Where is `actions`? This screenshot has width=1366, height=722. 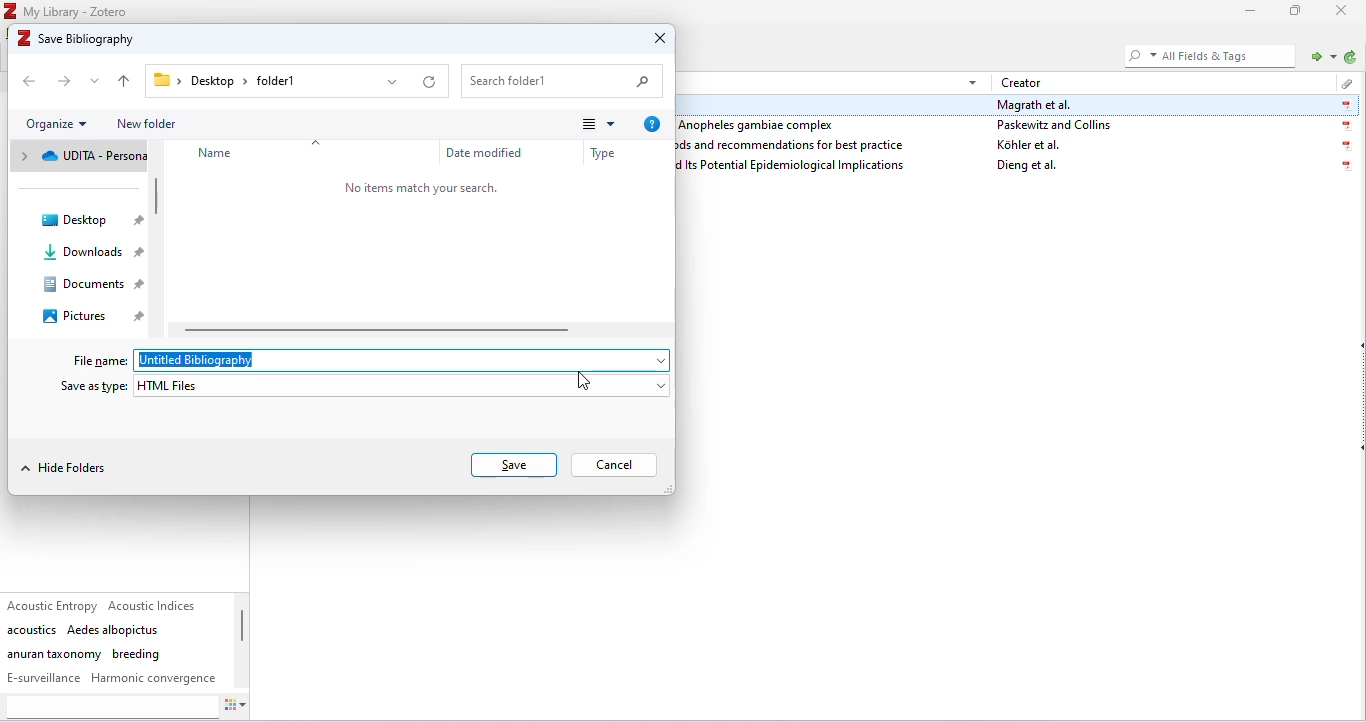
actions is located at coordinates (244, 707).